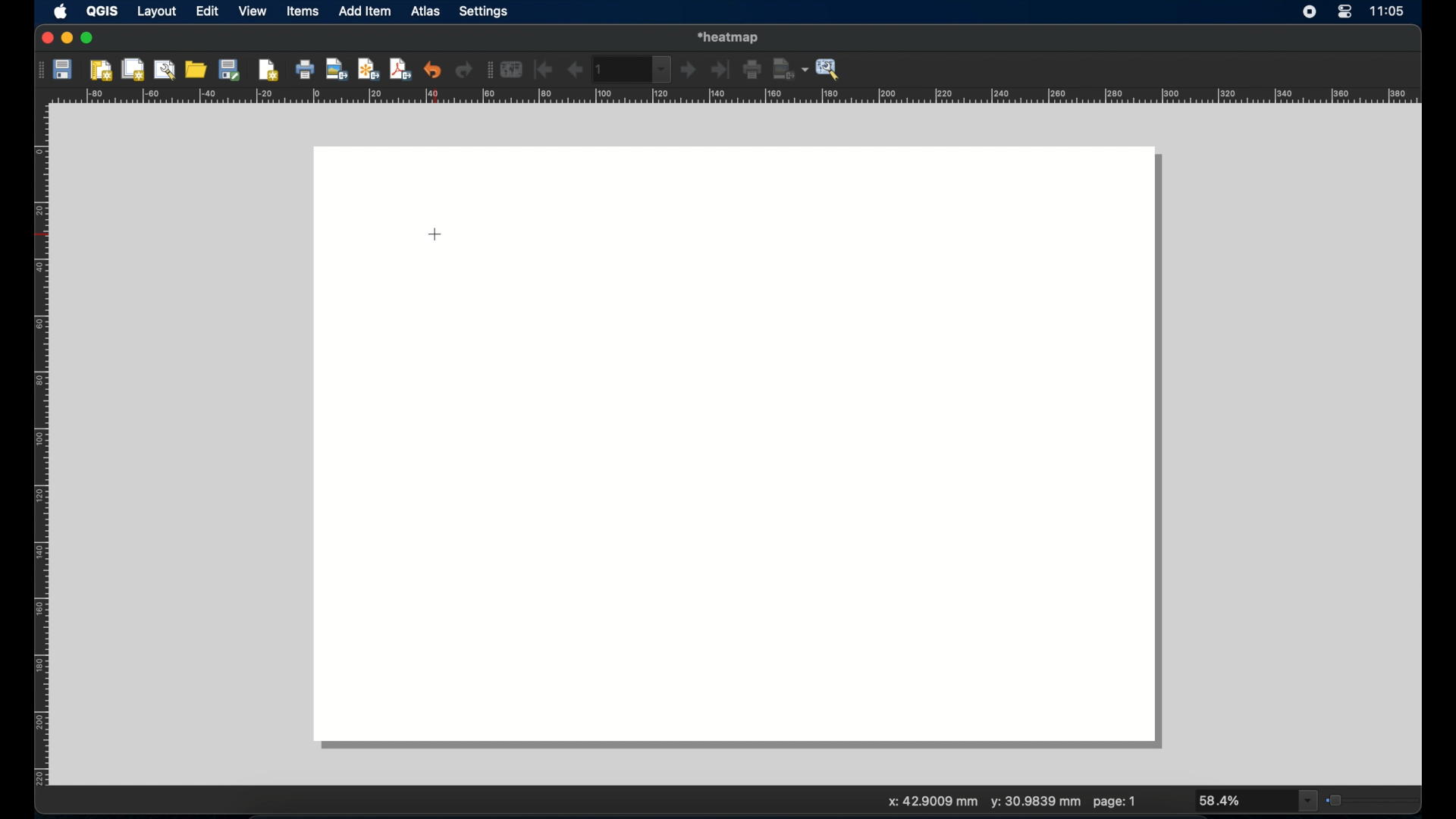  What do you see at coordinates (435, 234) in the screenshot?
I see `cursor` at bounding box center [435, 234].